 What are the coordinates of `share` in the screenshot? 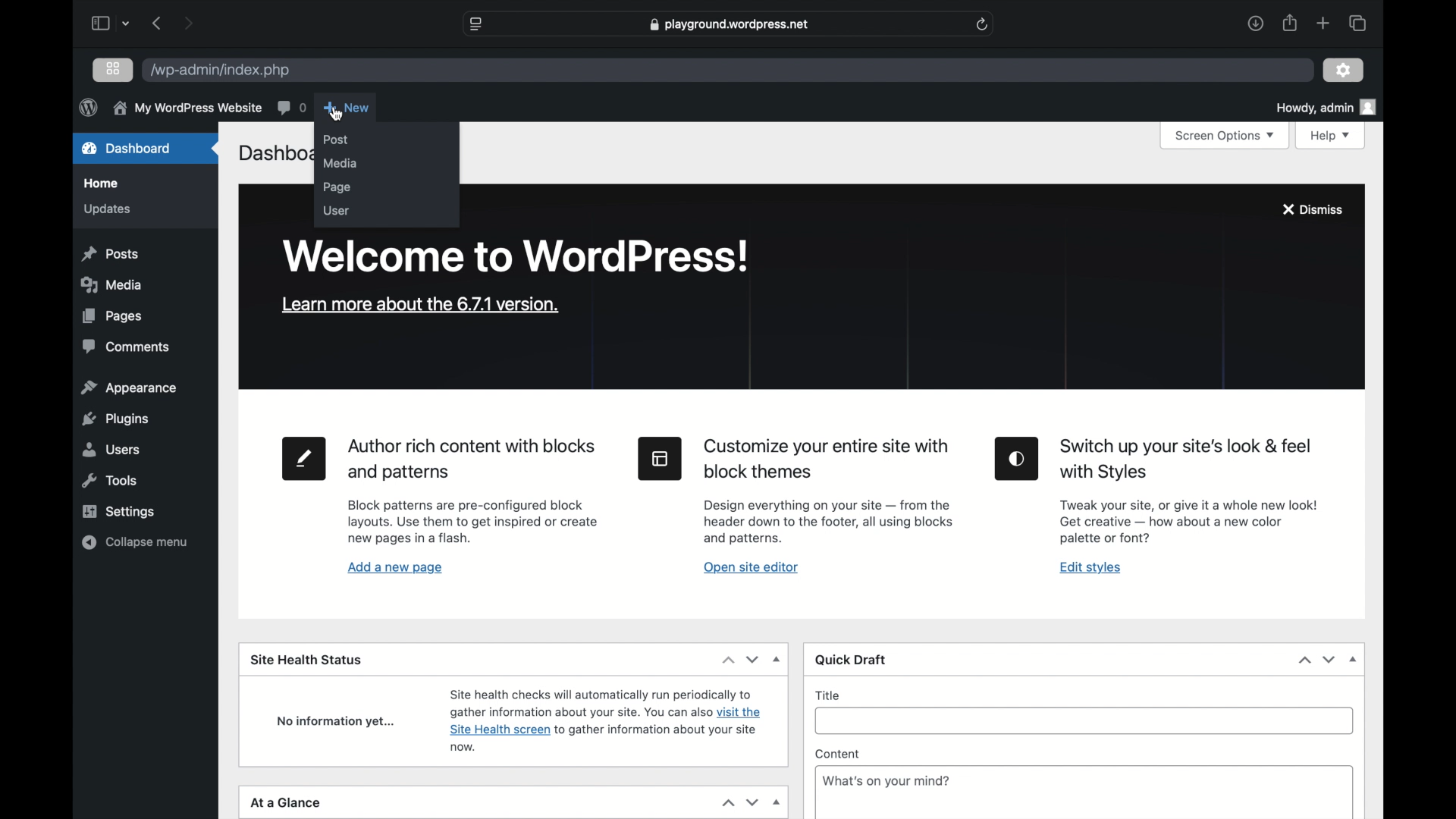 It's located at (1288, 23).